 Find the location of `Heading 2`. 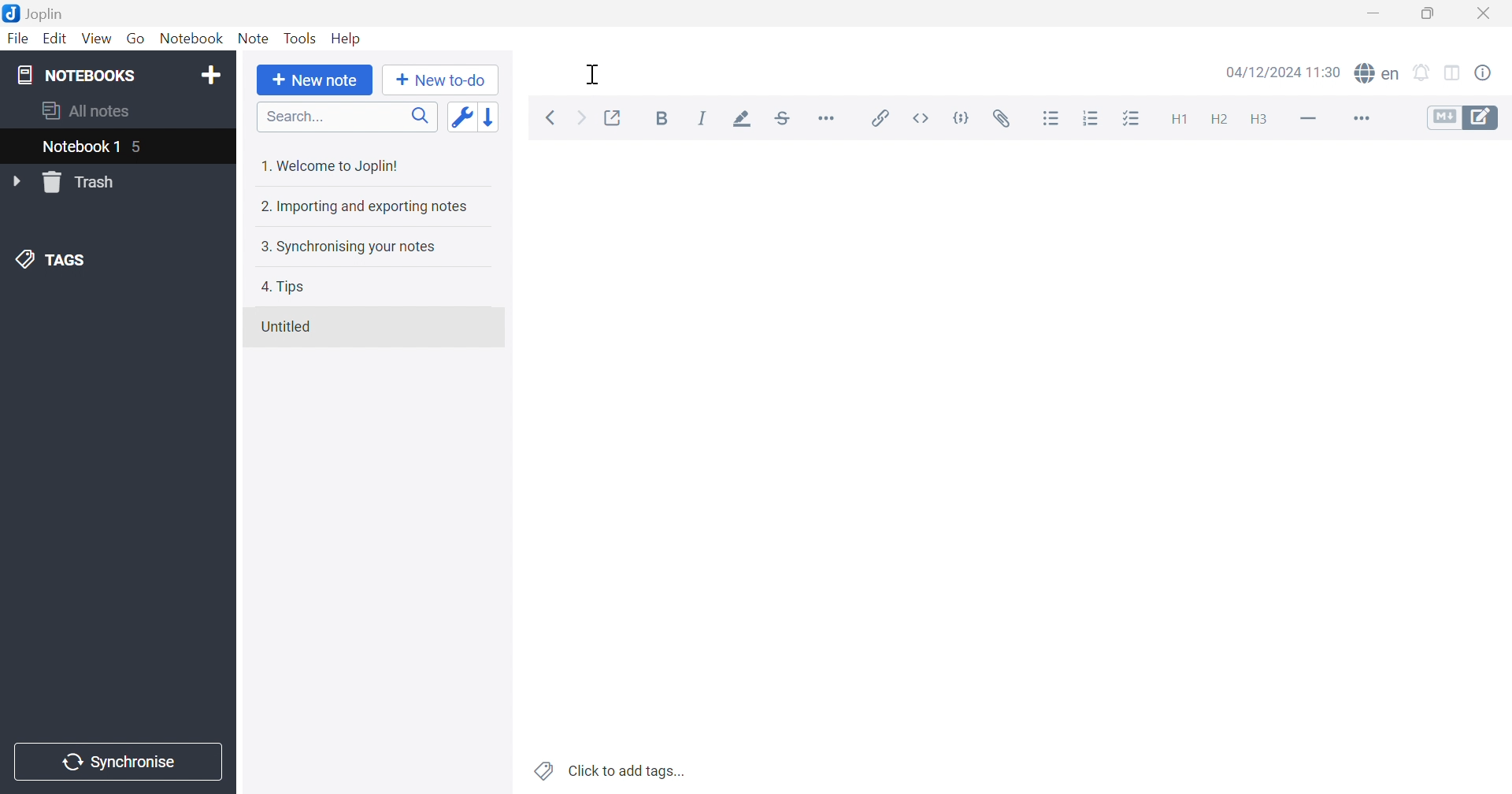

Heading 2 is located at coordinates (1217, 117).